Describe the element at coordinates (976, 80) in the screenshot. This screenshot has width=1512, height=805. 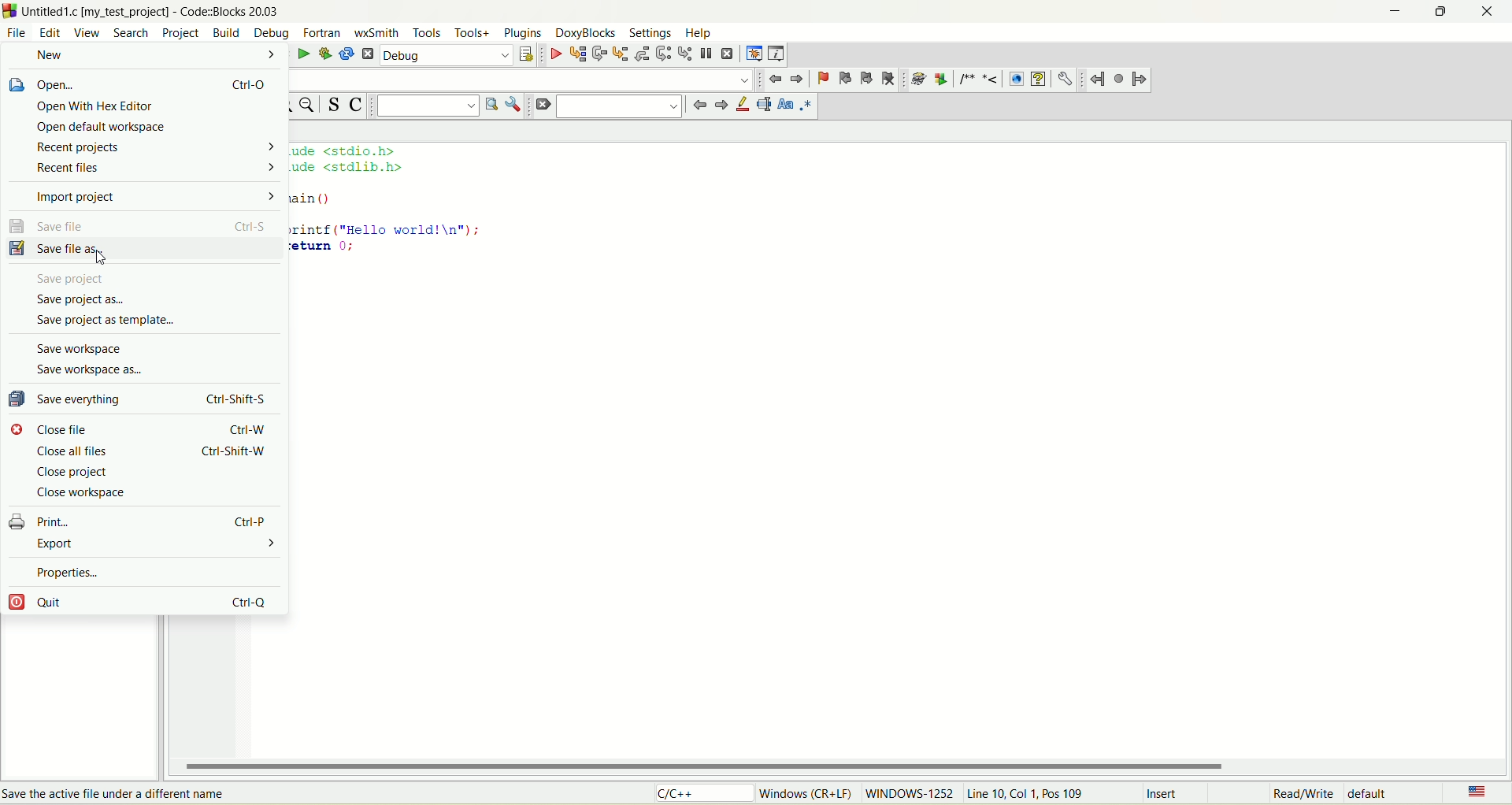
I see `comment` at that location.